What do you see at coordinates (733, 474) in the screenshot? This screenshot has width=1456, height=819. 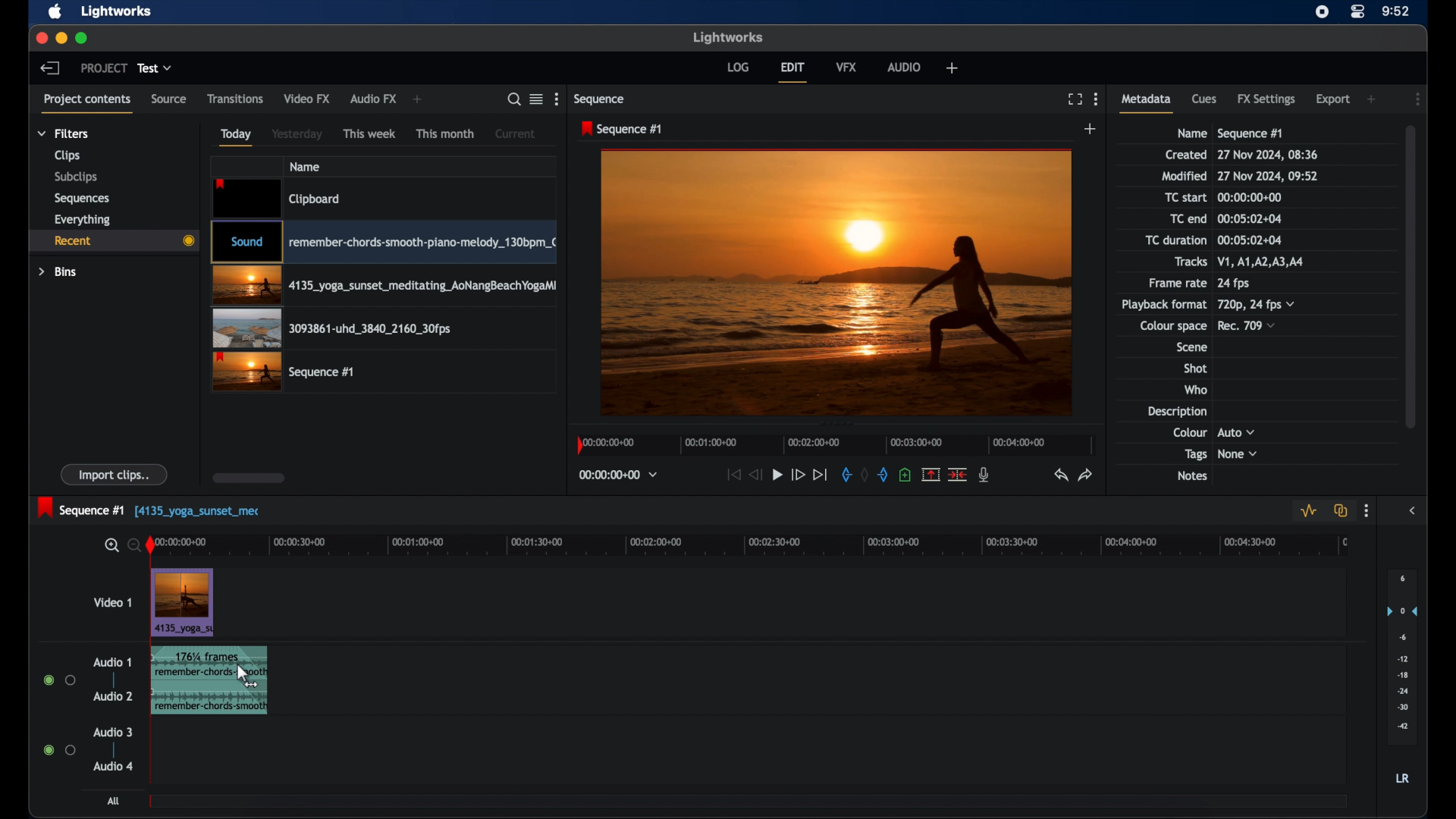 I see `jump to start` at bounding box center [733, 474].